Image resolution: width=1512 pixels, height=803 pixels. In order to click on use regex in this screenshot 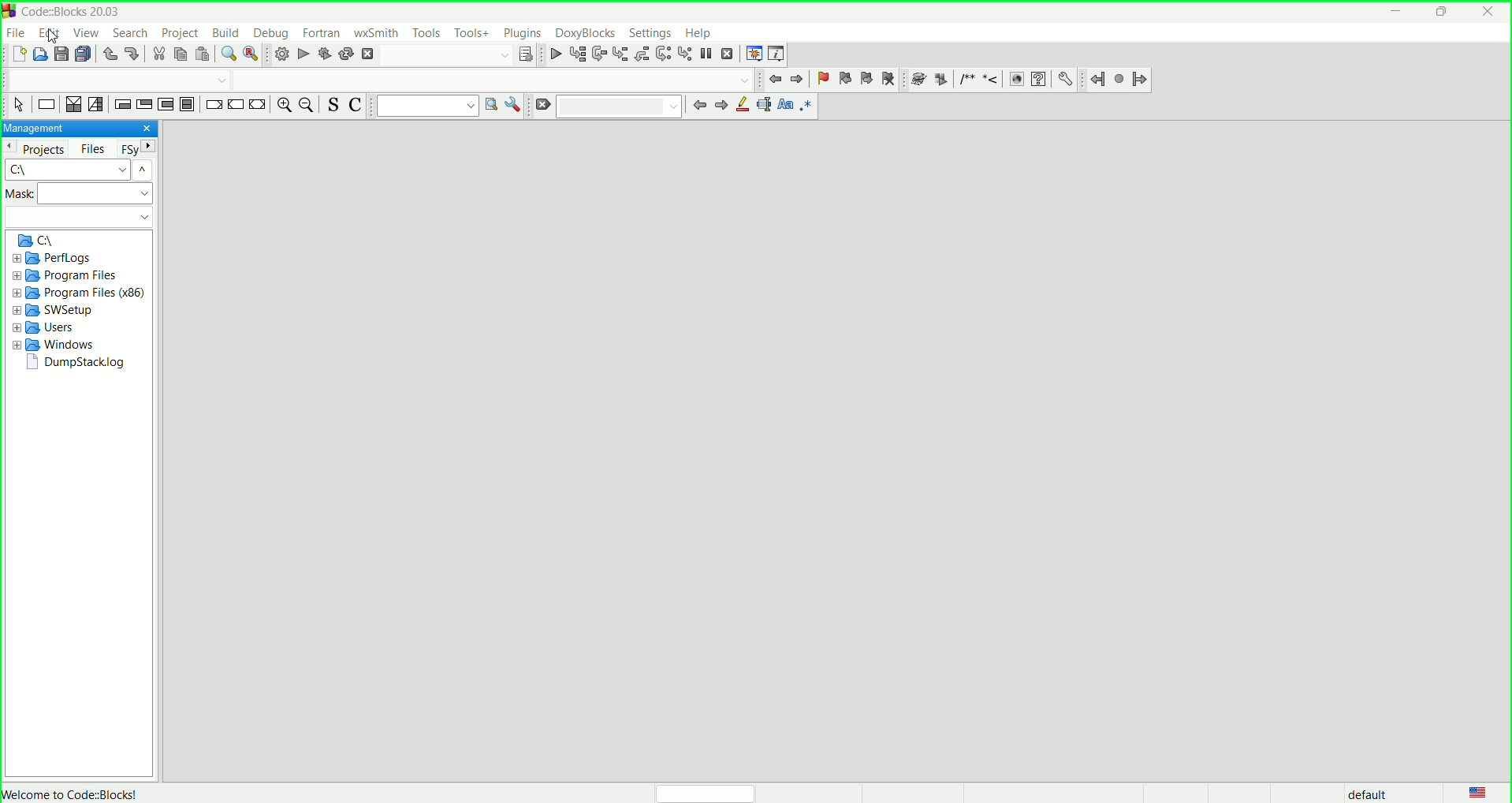, I will do `click(809, 106)`.